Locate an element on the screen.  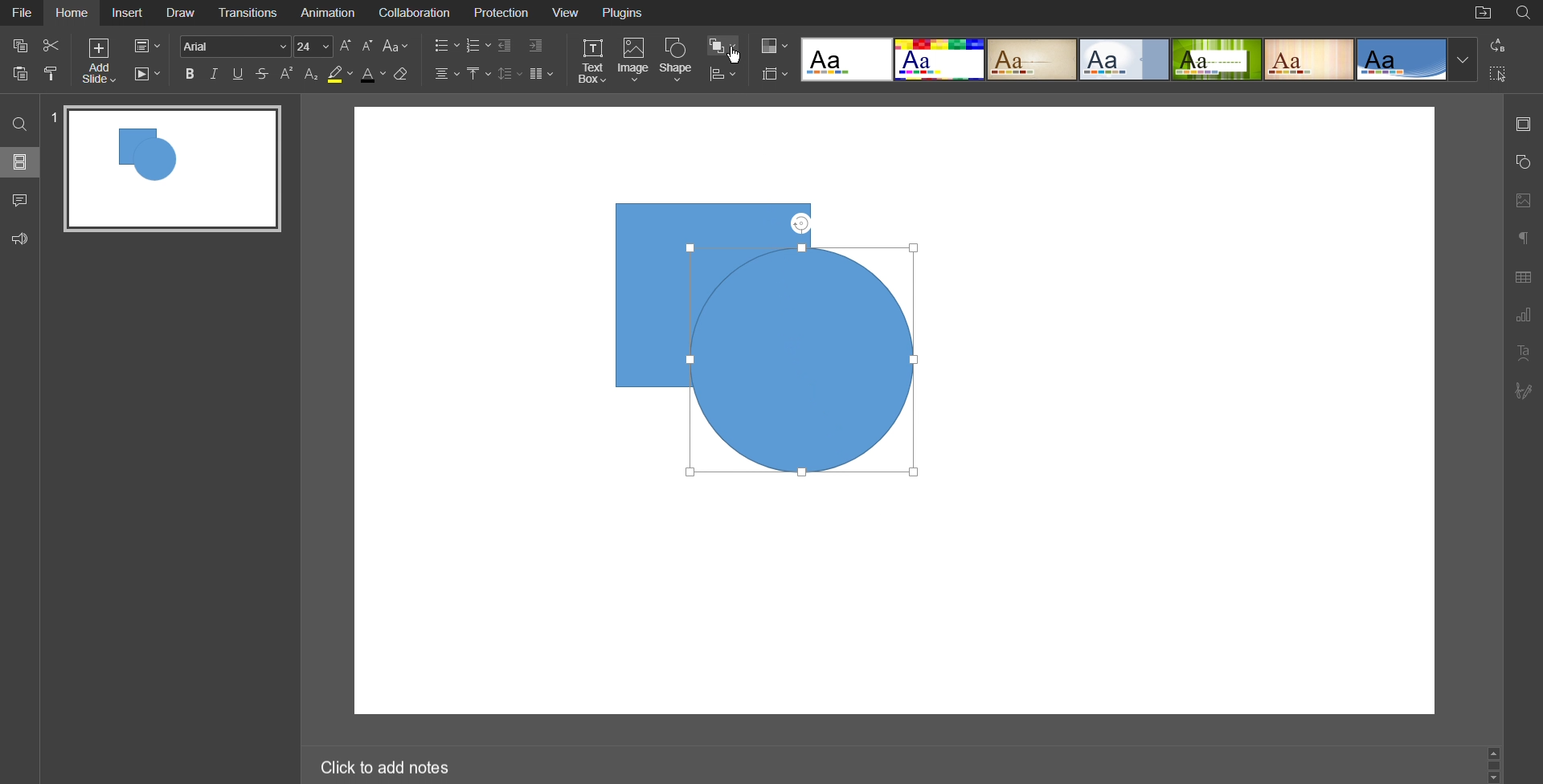
Graph Settings is located at coordinates (1524, 316).